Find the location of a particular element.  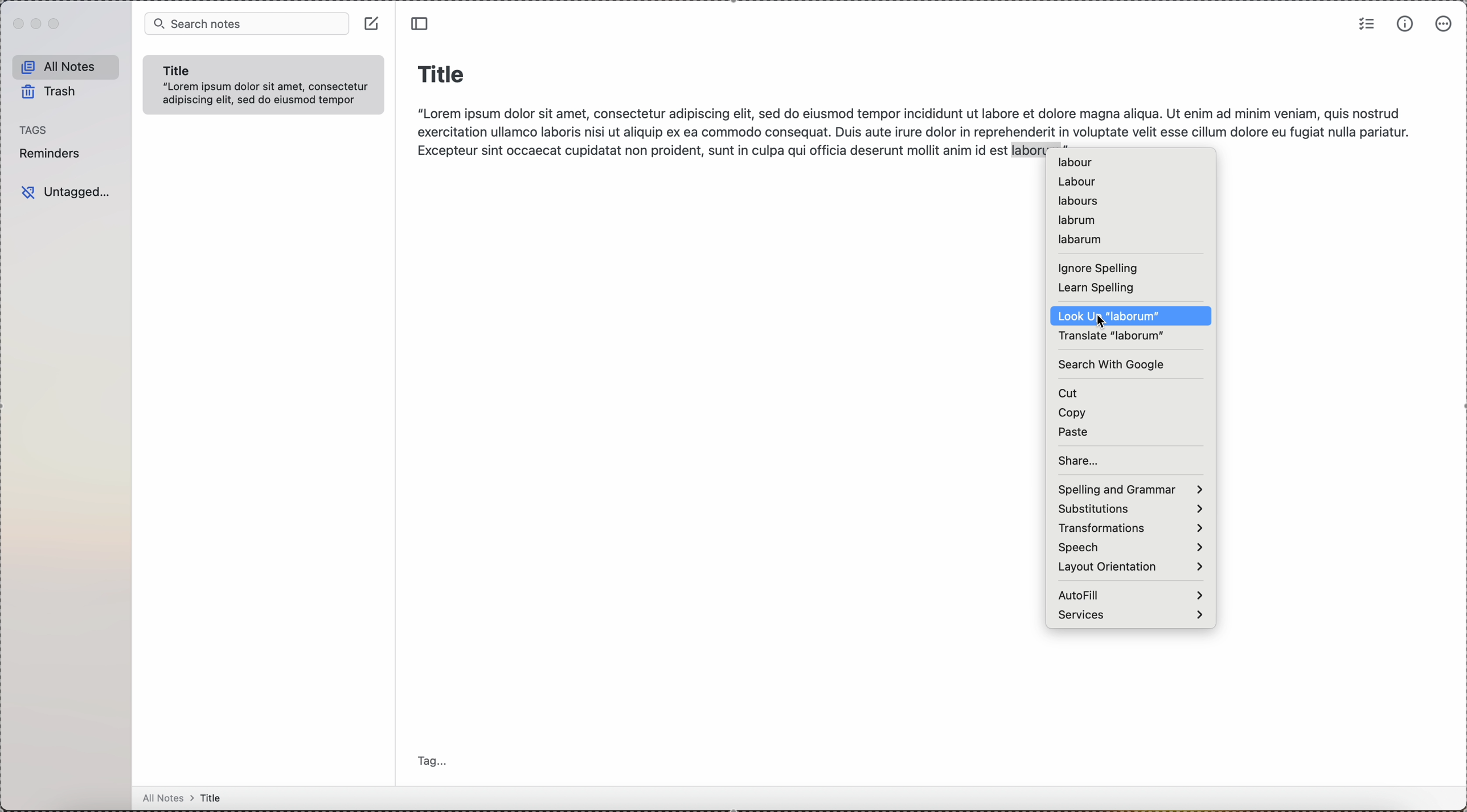

tag is located at coordinates (435, 760).